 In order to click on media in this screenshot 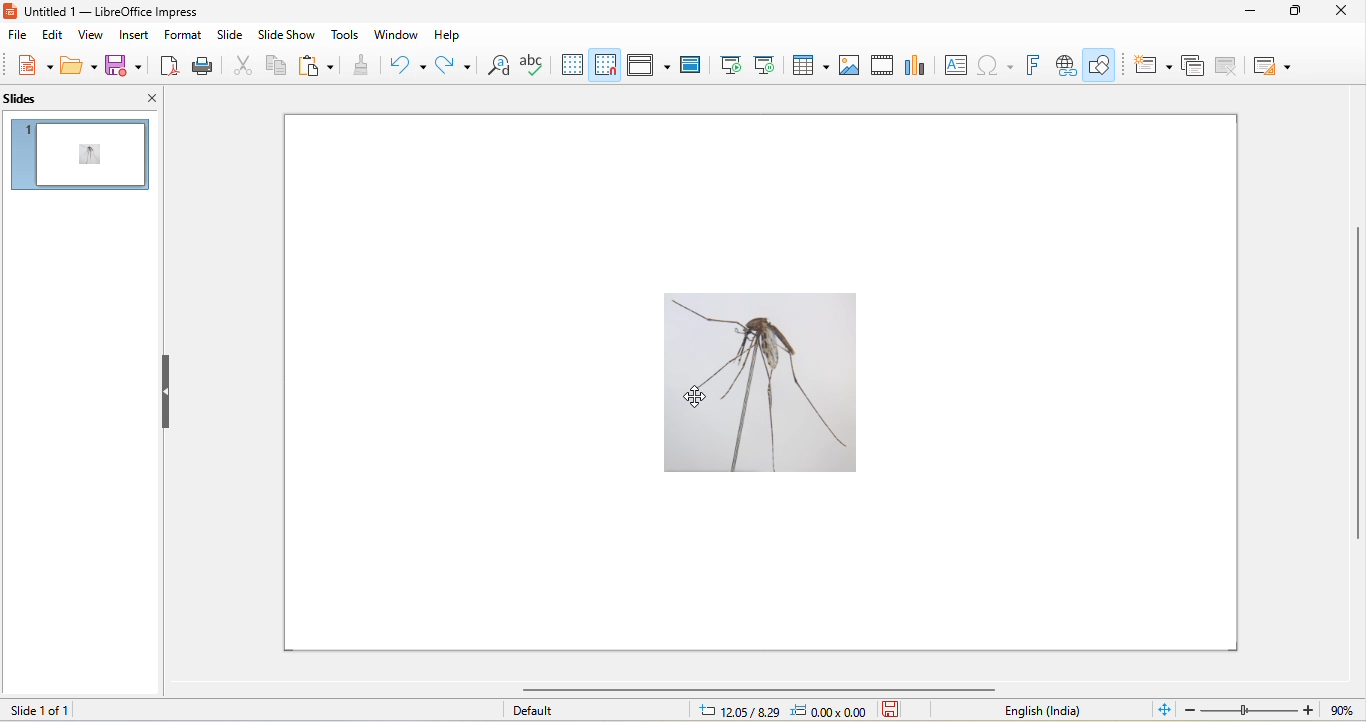, I will do `click(882, 65)`.